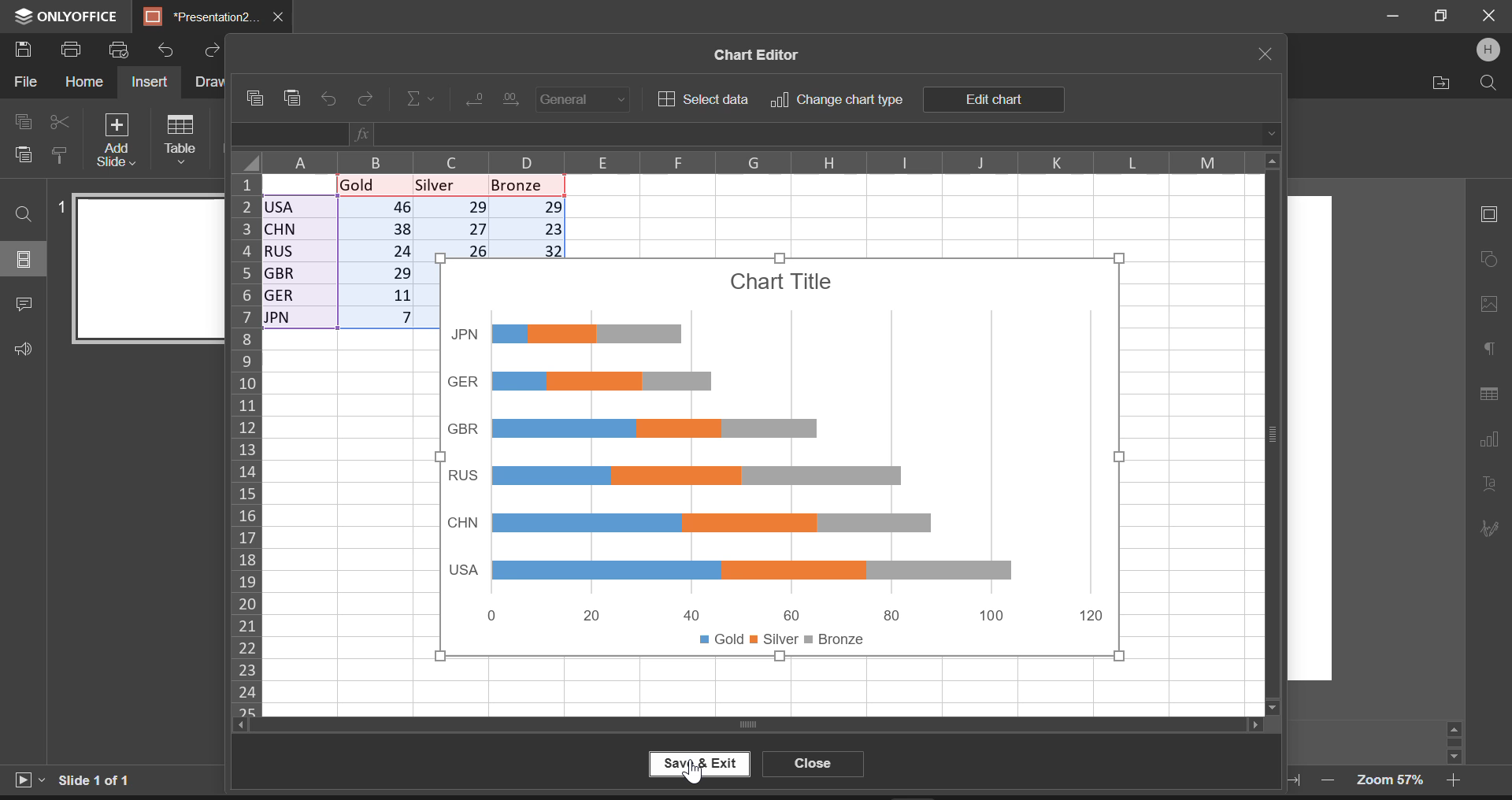 Image resolution: width=1512 pixels, height=800 pixels. Describe the element at coordinates (280, 17) in the screenshot. I see `Close Tab` at that location.